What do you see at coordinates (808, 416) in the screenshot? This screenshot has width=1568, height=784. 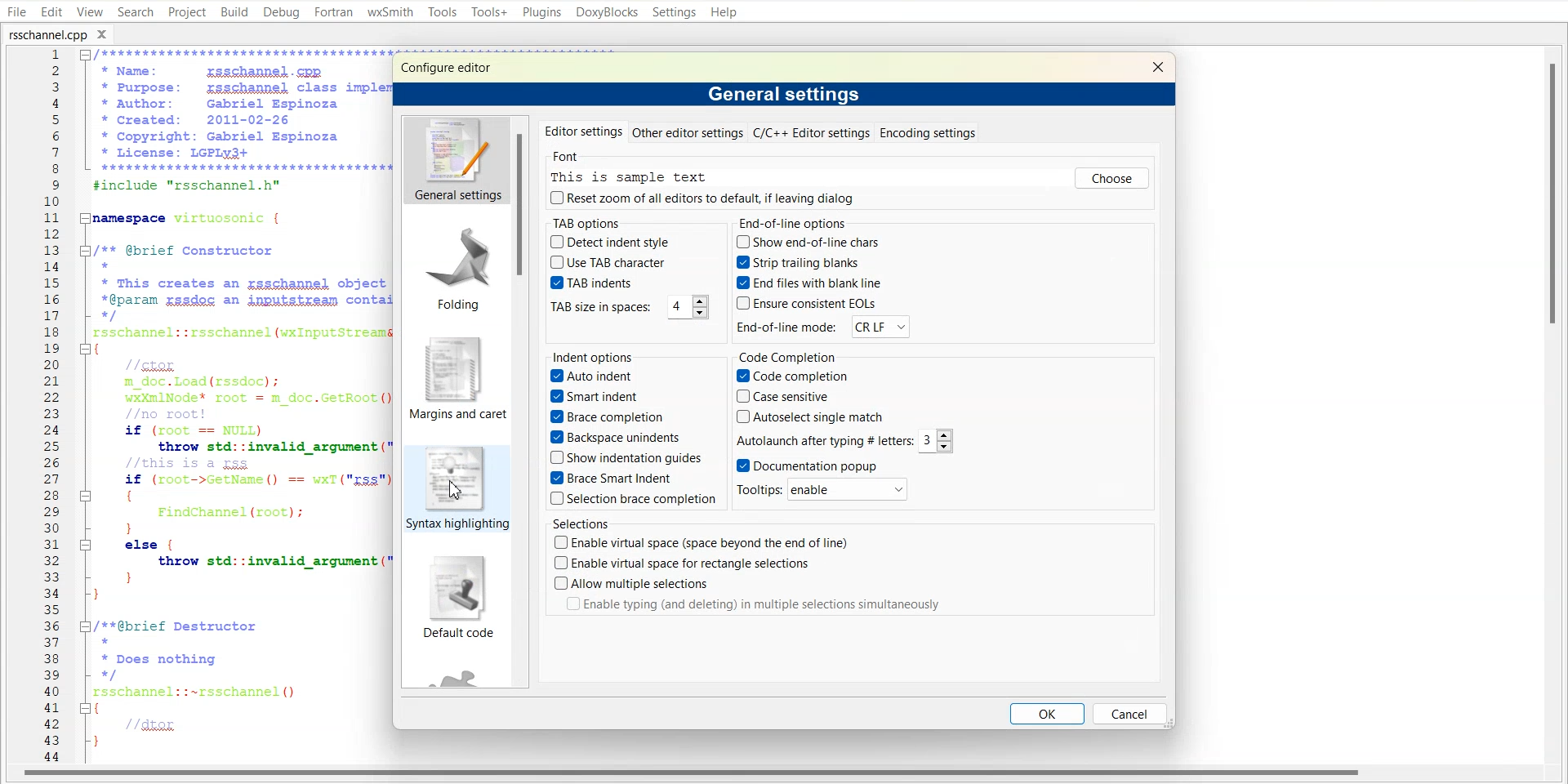 I see `Auto select single match` at bounding box center [808, 416].